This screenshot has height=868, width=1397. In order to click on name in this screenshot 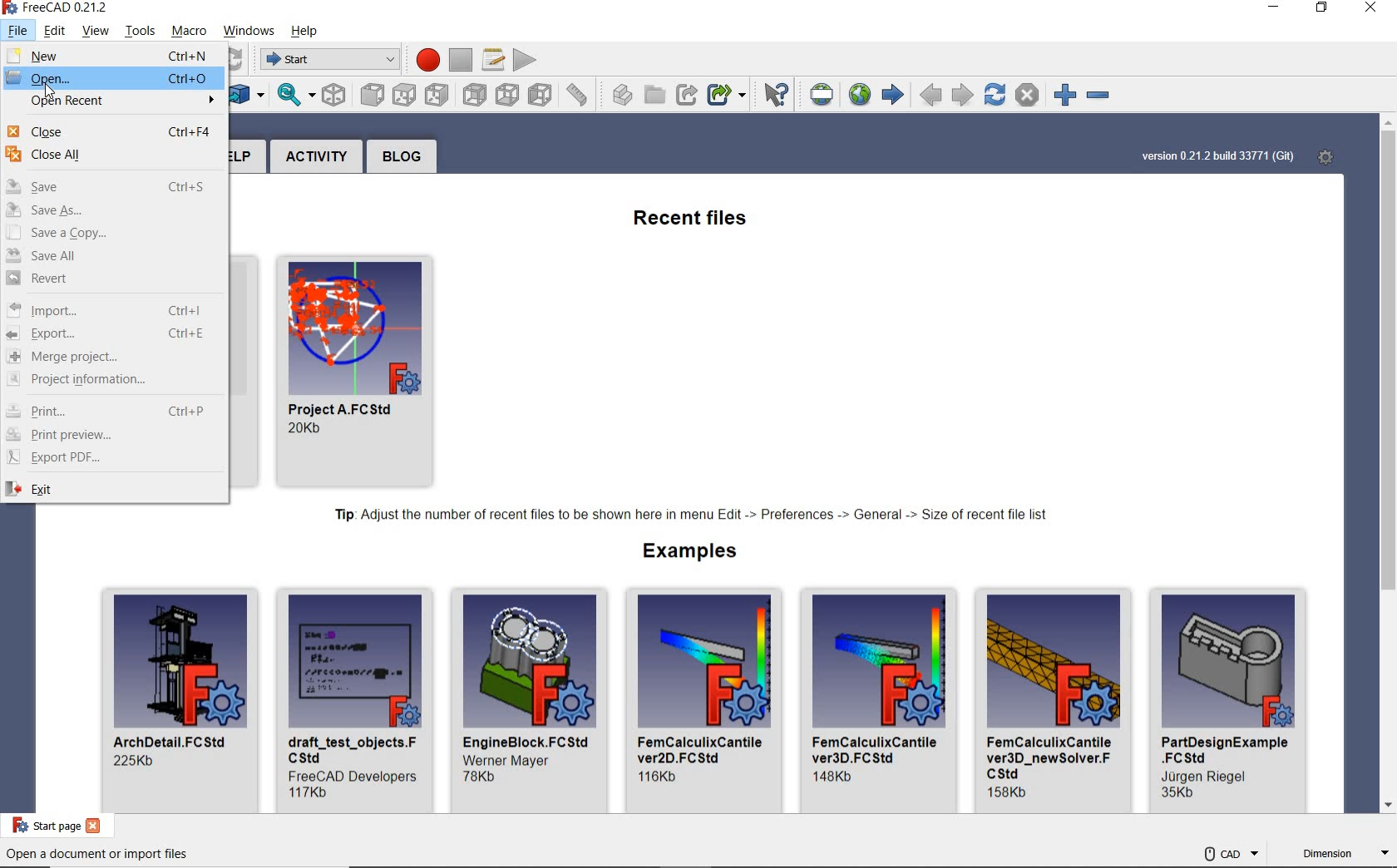, I will do `click(703, 748)`.